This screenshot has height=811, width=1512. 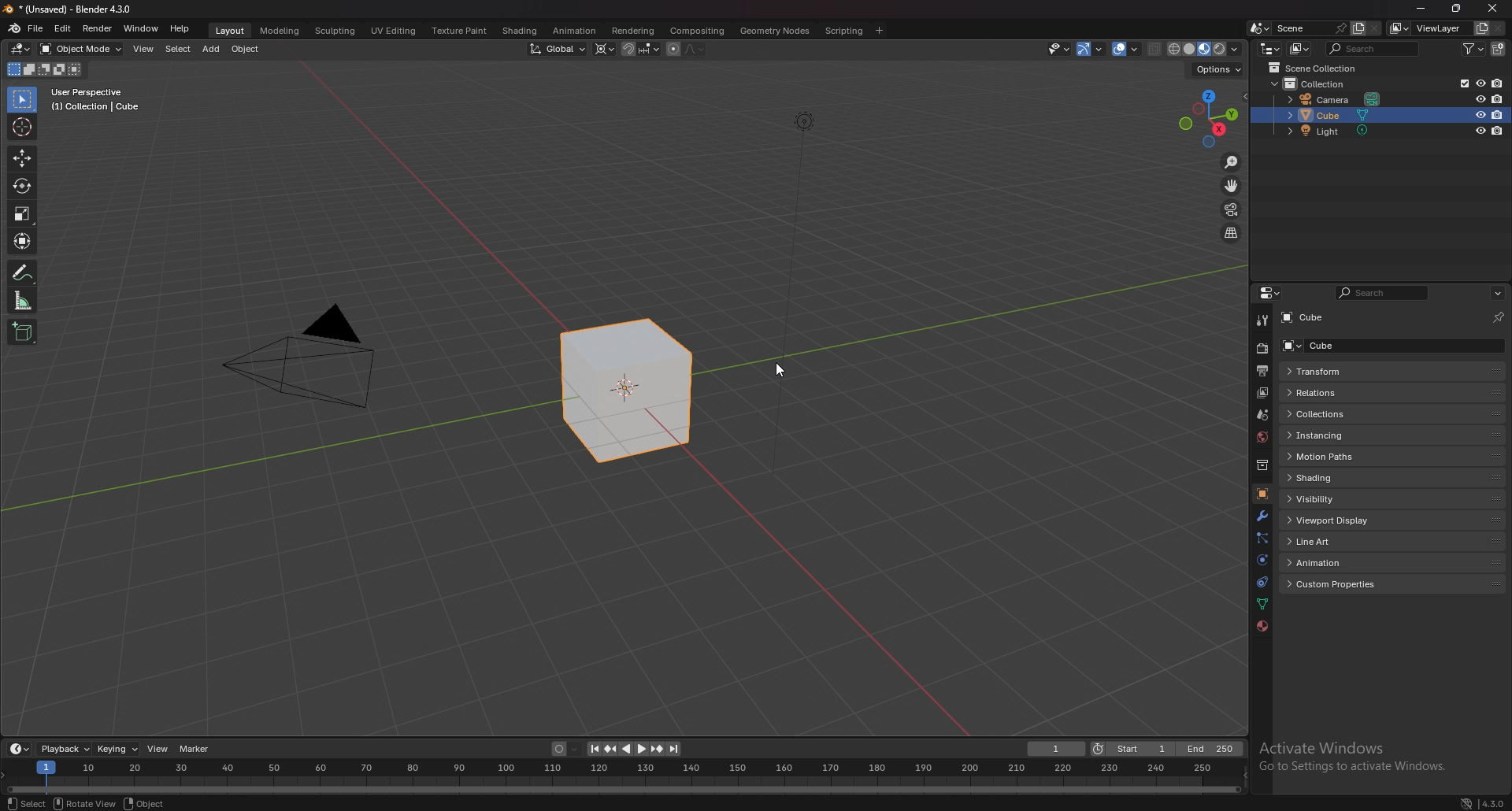 What do you see at coordinates (1262, 371) in the screenshot?
I see `output` at bounding box center [1262, 371].